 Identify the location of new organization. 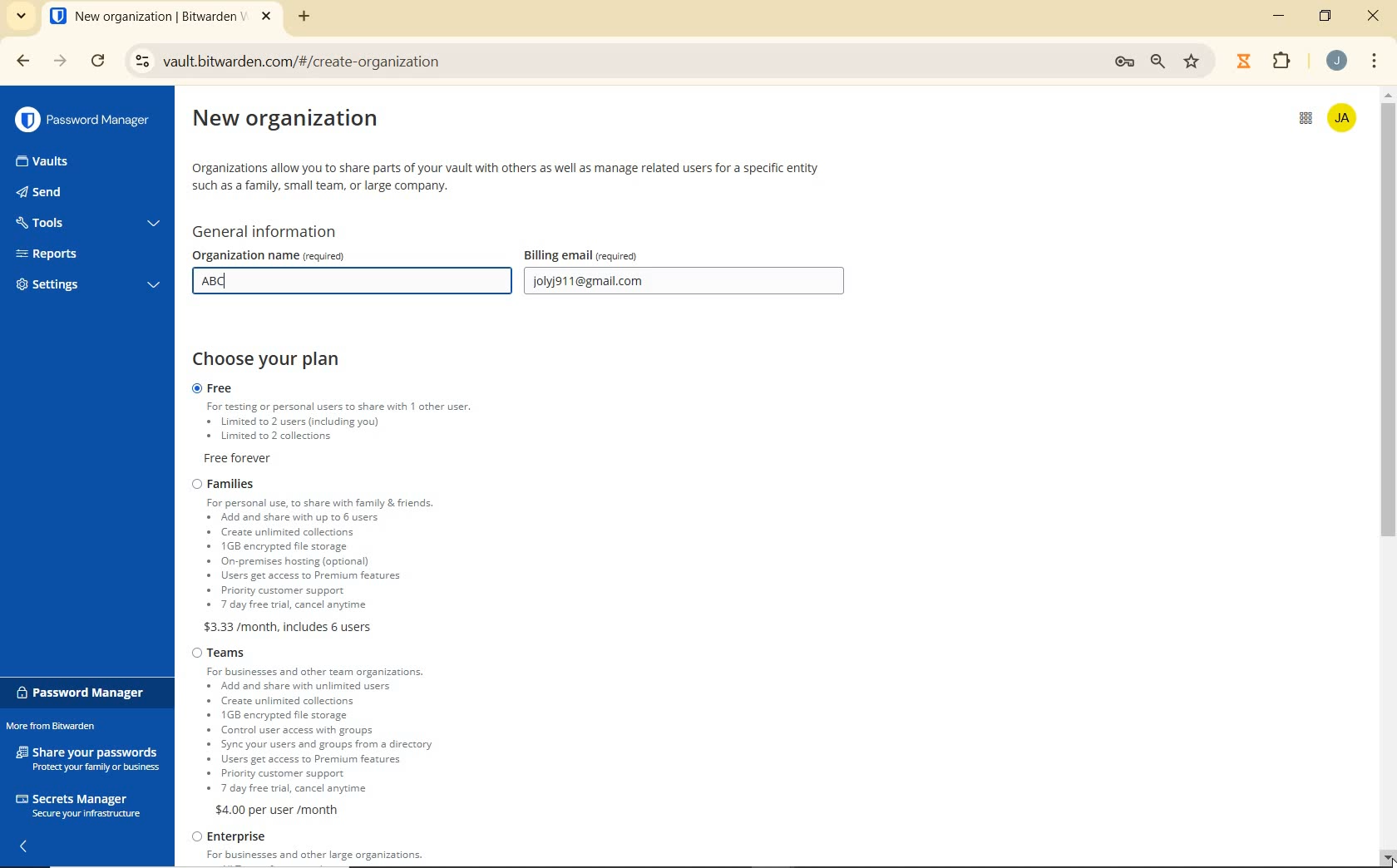
(301, 123).